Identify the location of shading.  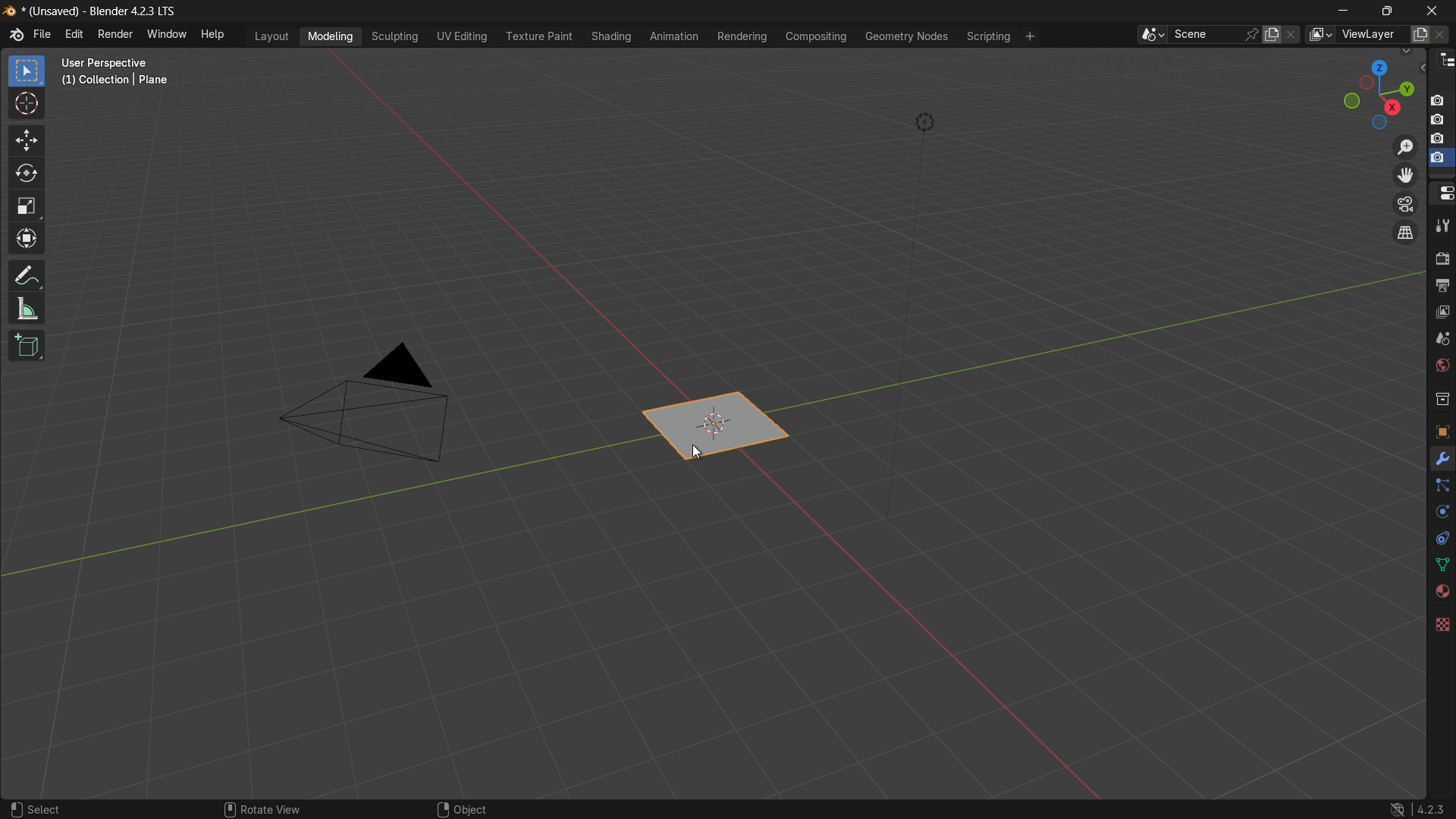
(610, 36).